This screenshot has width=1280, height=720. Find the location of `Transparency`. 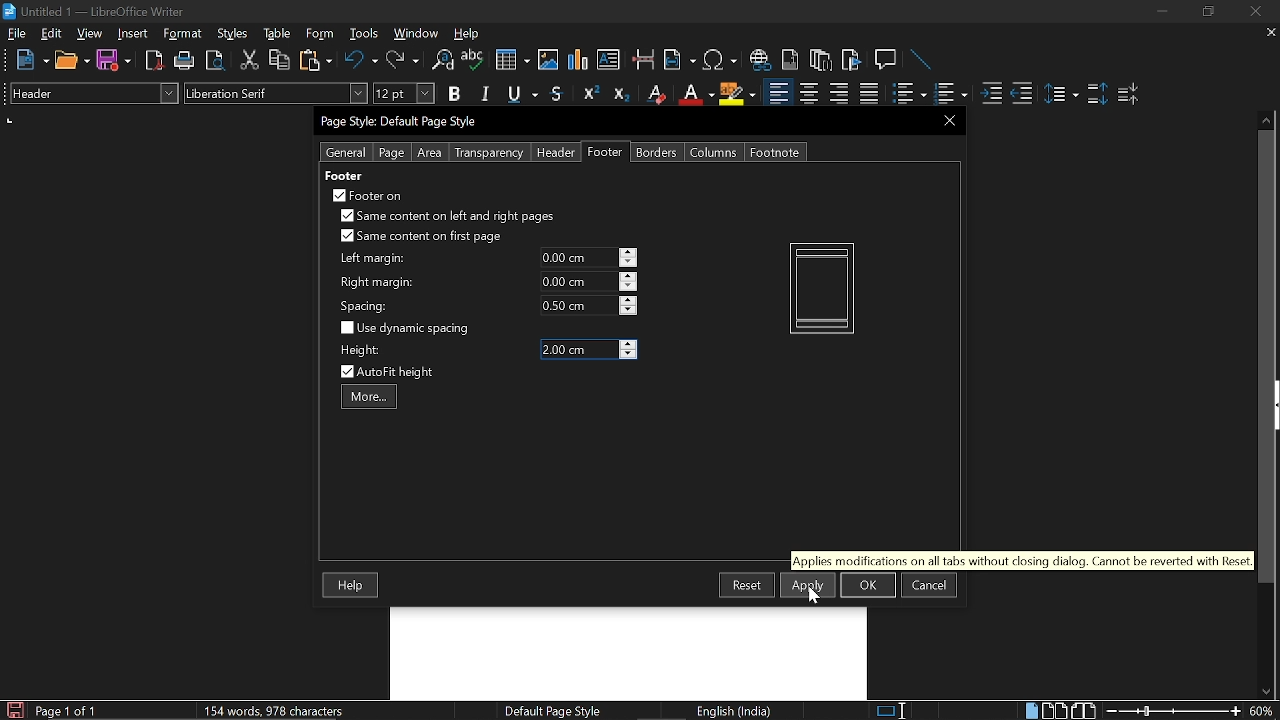

Transparency is located at coordinates (487, 153).